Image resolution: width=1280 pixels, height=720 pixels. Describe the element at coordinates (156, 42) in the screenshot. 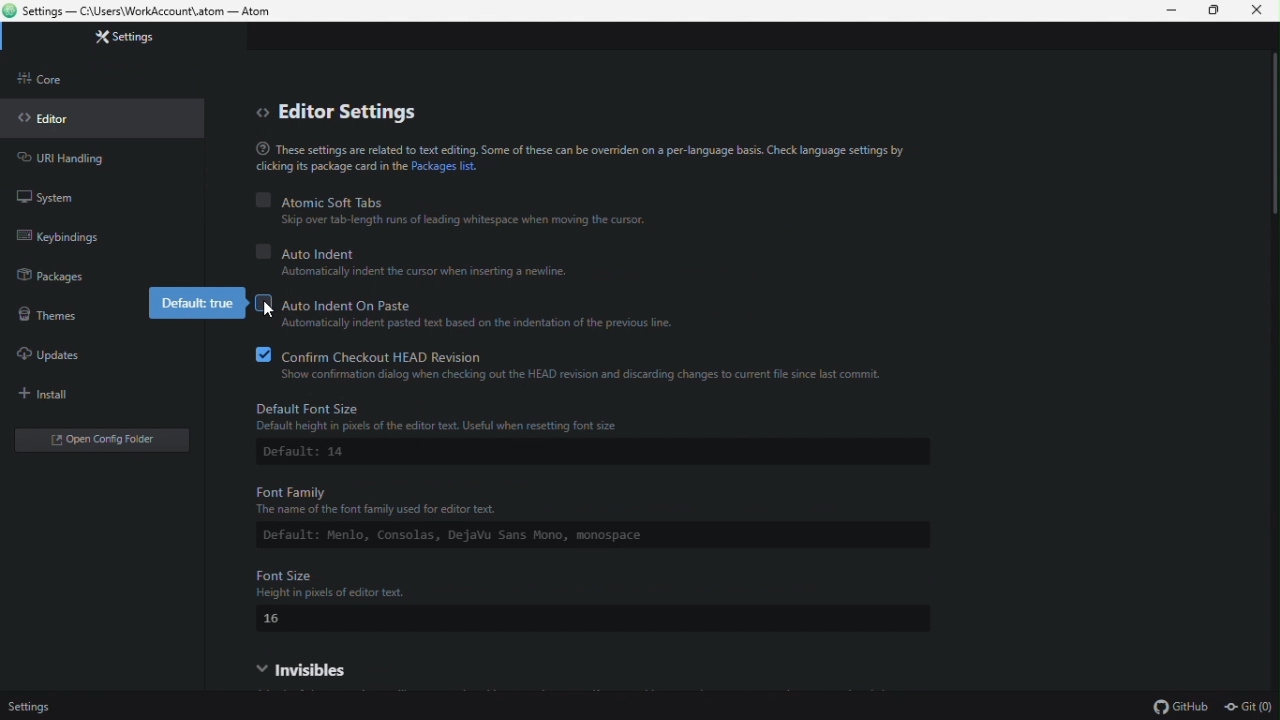

I see `Settings` at that location.